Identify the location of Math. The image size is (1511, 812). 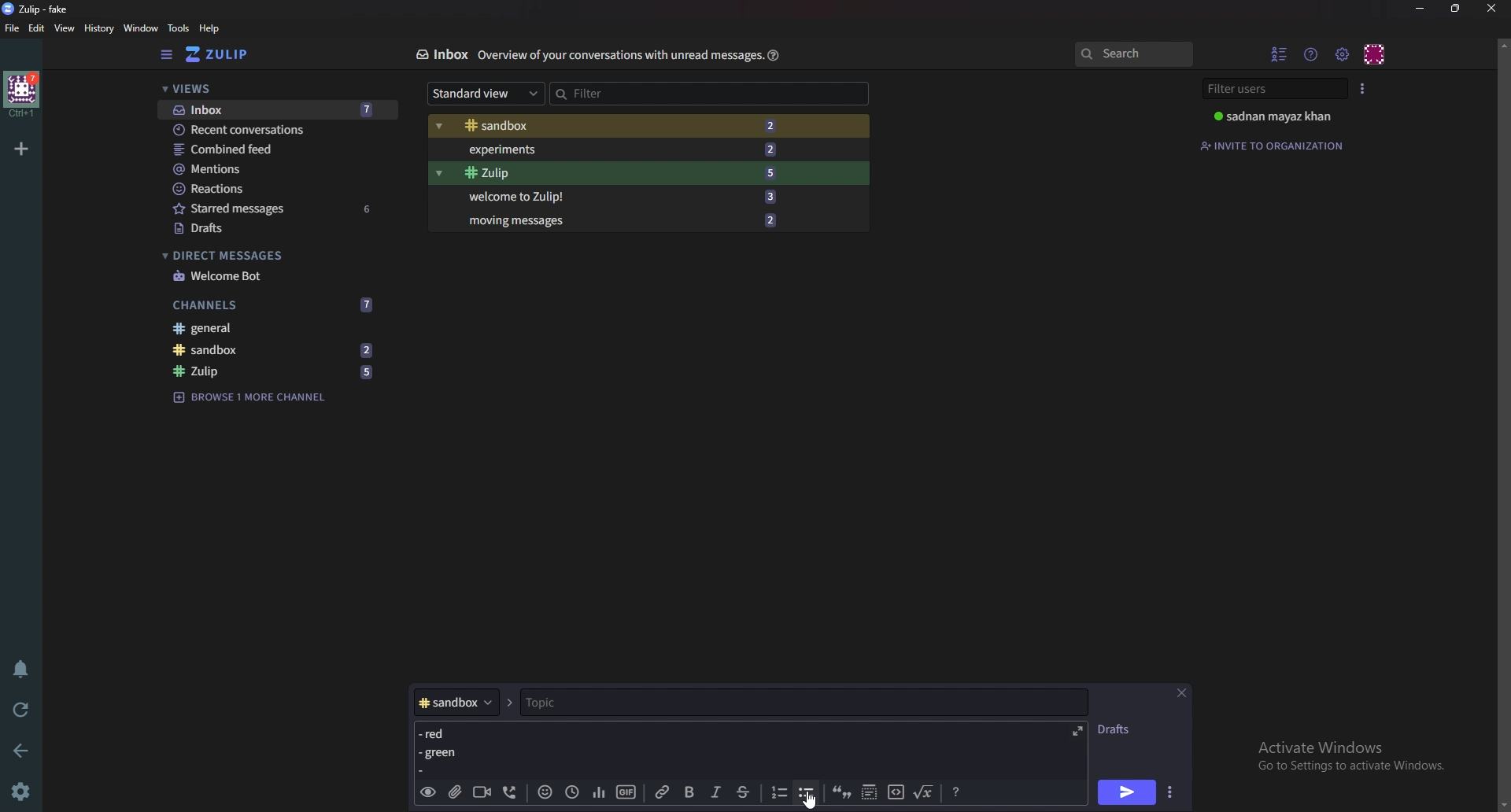
(925, 790).